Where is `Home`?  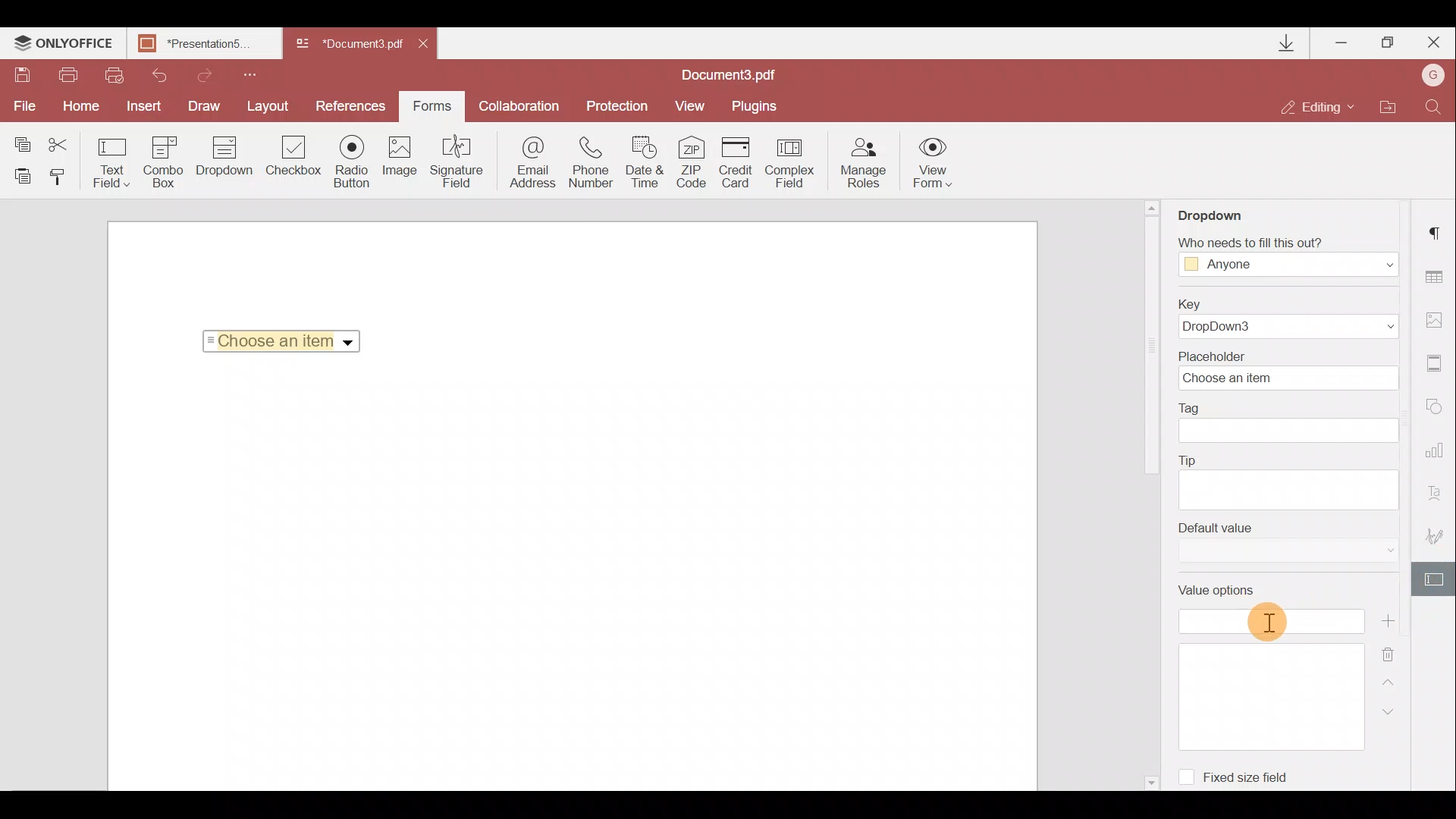
Home is located at coordinates (85, 107).